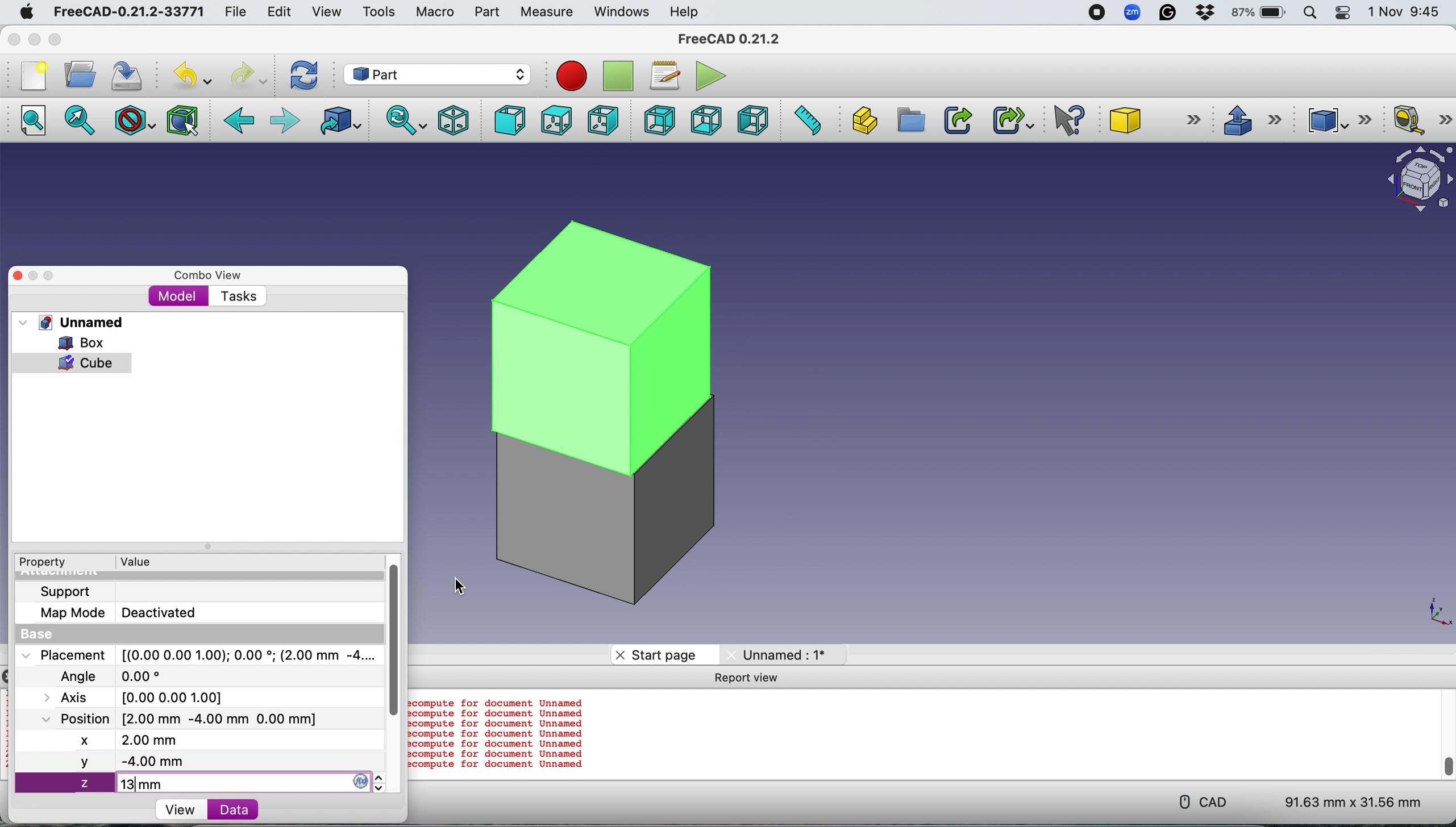 The image size is (1456, 827). I want to click on Object interface, so click(1414, 181).